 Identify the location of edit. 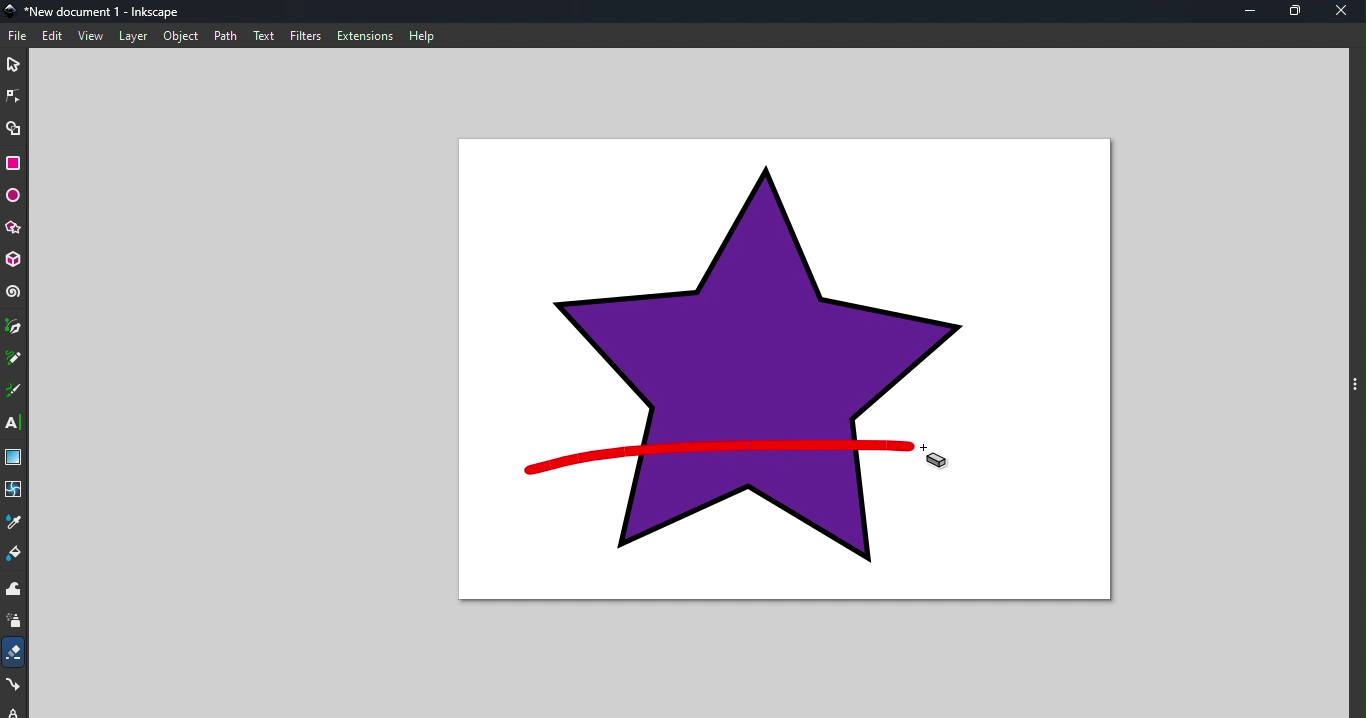
(54, 36).